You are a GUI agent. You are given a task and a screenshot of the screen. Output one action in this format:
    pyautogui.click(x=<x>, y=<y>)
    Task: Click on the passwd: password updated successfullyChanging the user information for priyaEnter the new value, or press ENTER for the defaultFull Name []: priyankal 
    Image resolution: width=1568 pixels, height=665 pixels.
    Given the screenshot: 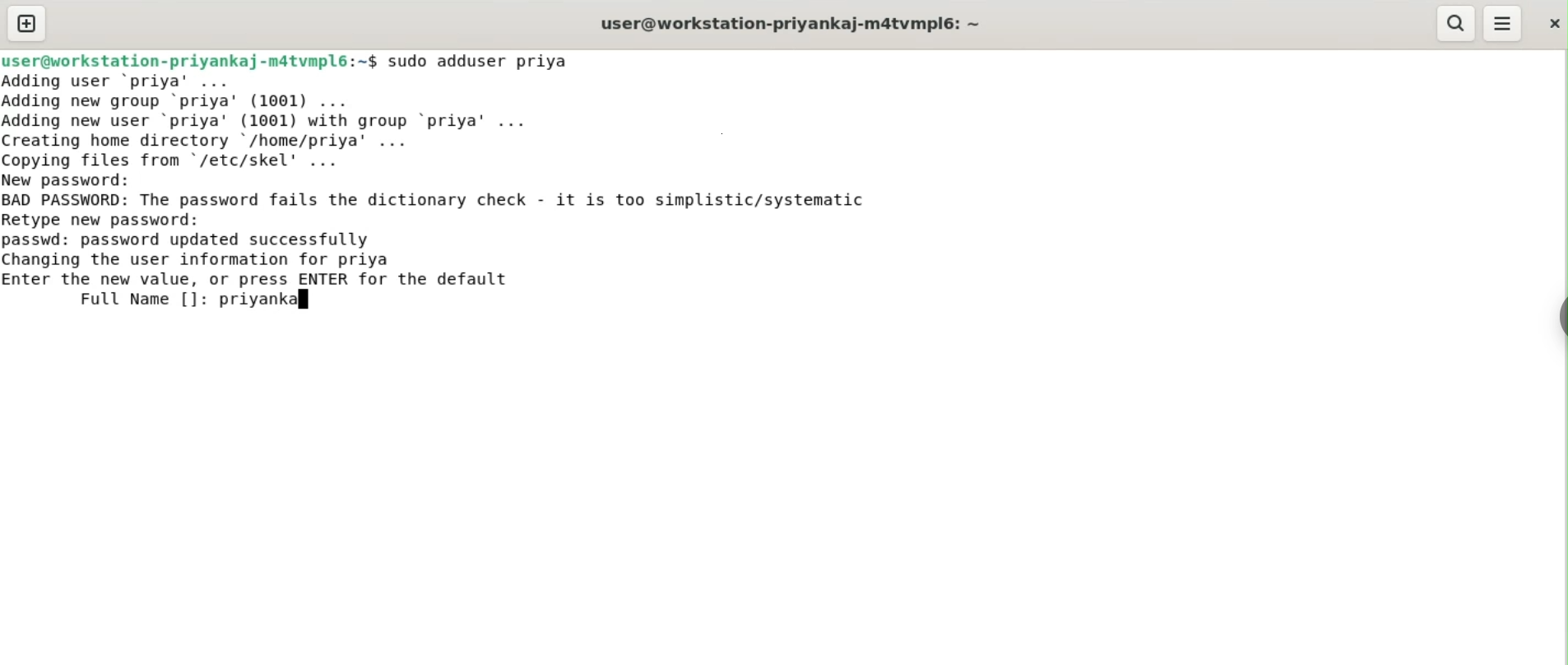 What is the action you would take?
    pyautogui.click(x=258, y=272)
    